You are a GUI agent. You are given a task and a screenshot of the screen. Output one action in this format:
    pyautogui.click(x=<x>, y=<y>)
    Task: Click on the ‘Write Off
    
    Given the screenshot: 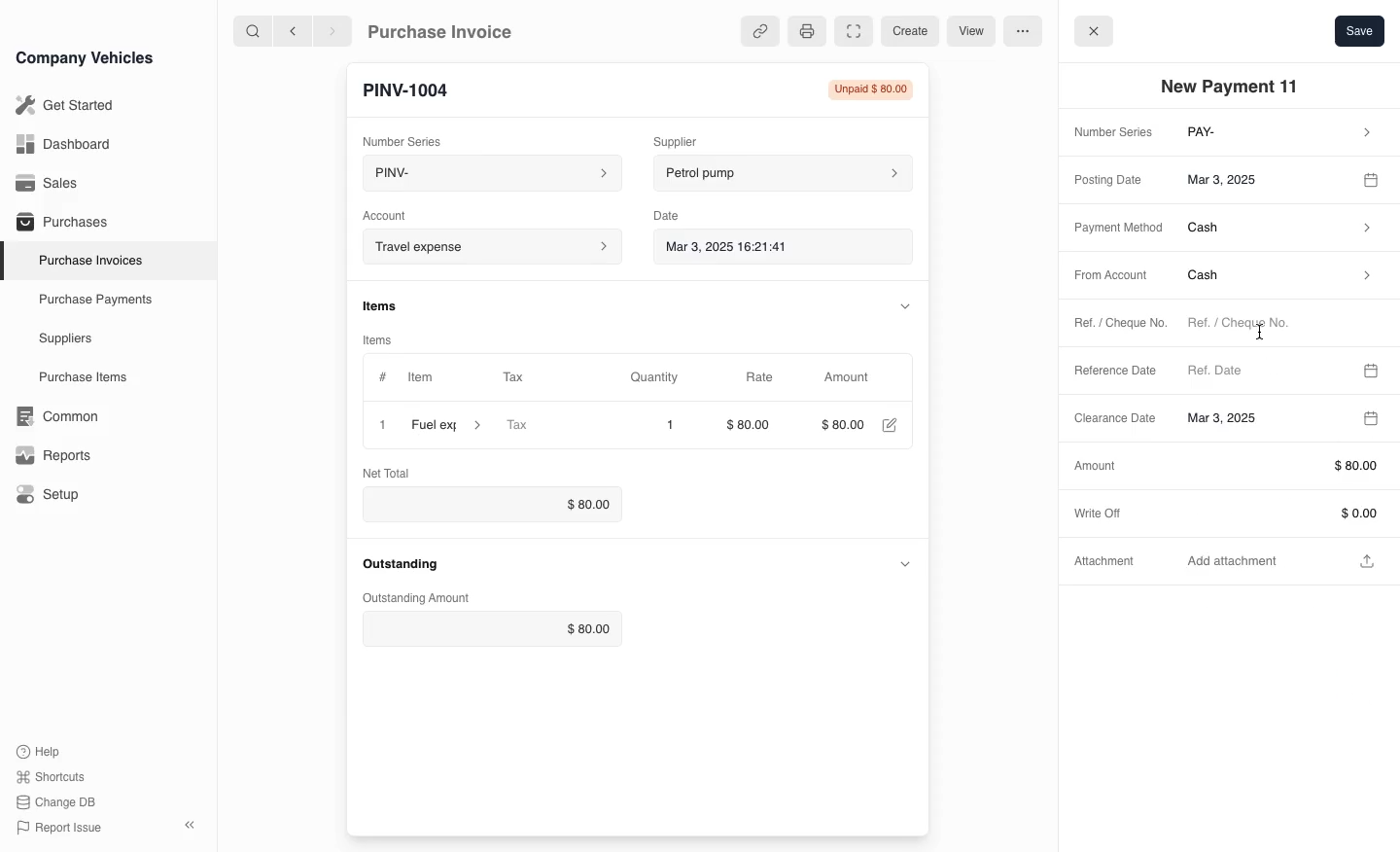 What is the action you would take?
    pyautogui.click(x=1104, y=512)
    